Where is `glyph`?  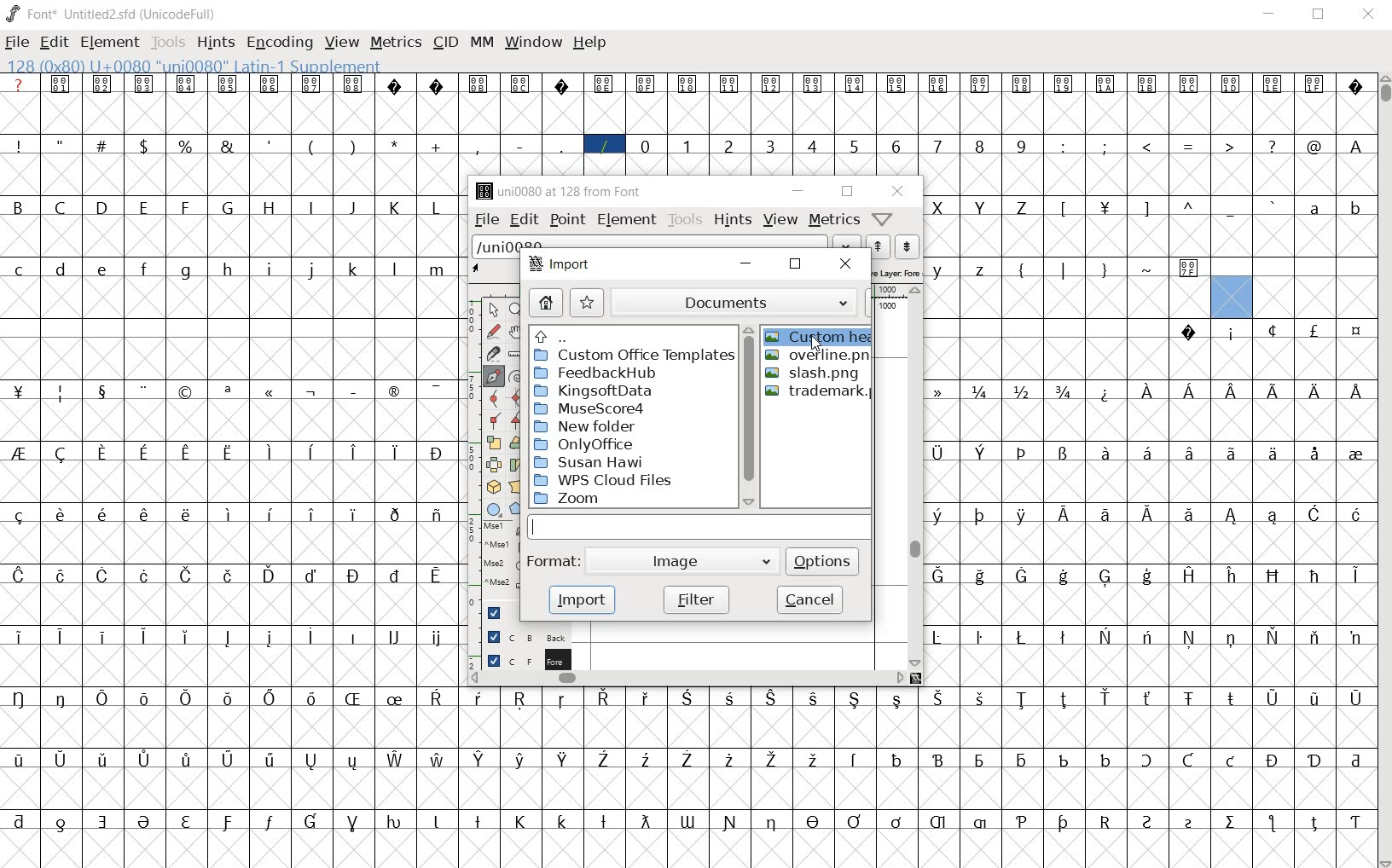 glyph is located at coordinates (19, 760).